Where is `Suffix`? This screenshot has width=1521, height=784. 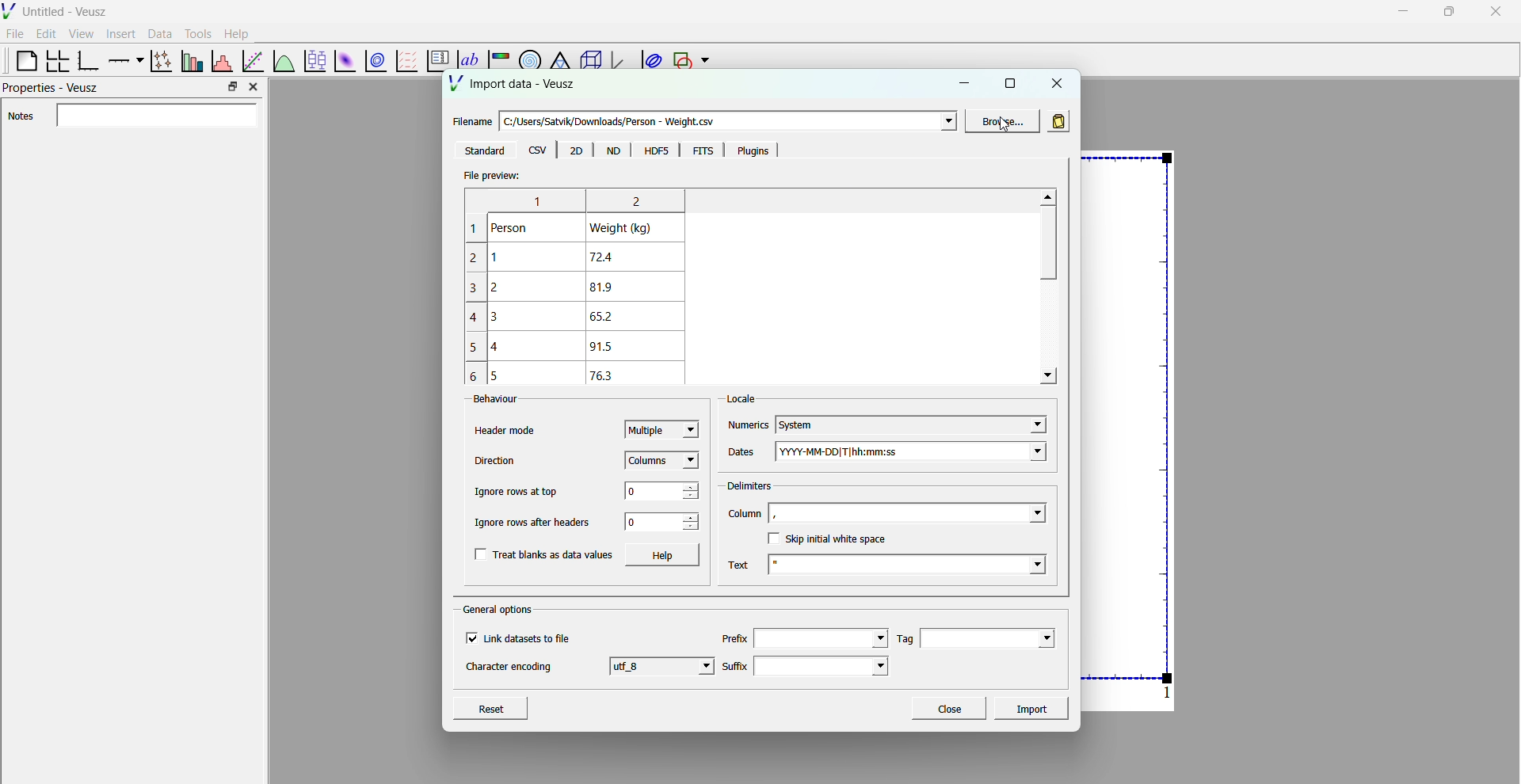
Suffix is located at coordinates (734, 662).